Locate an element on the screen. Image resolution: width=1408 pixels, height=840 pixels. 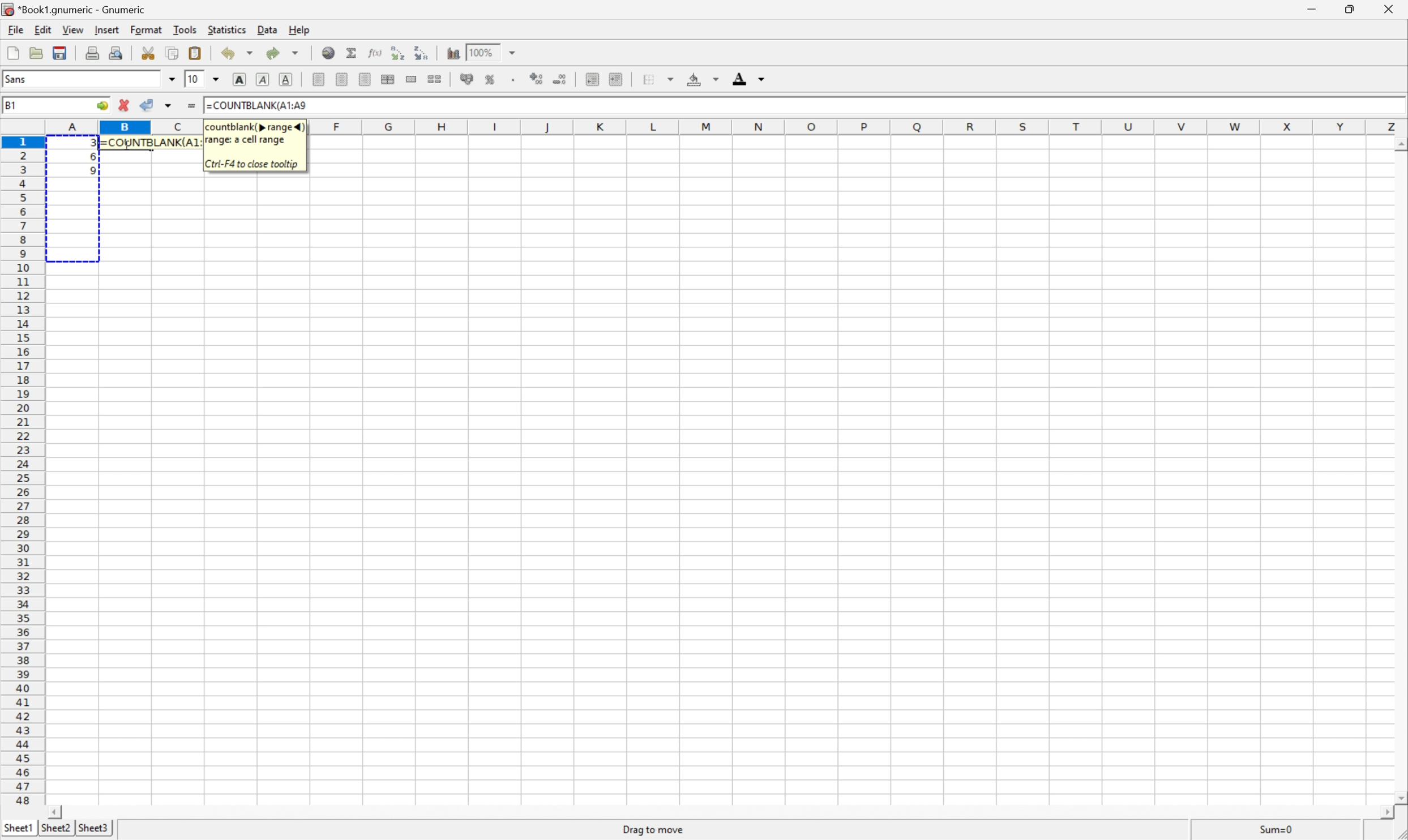
Sort the selected region in descending order based on the first column selected is located at coordinates (422, 53).